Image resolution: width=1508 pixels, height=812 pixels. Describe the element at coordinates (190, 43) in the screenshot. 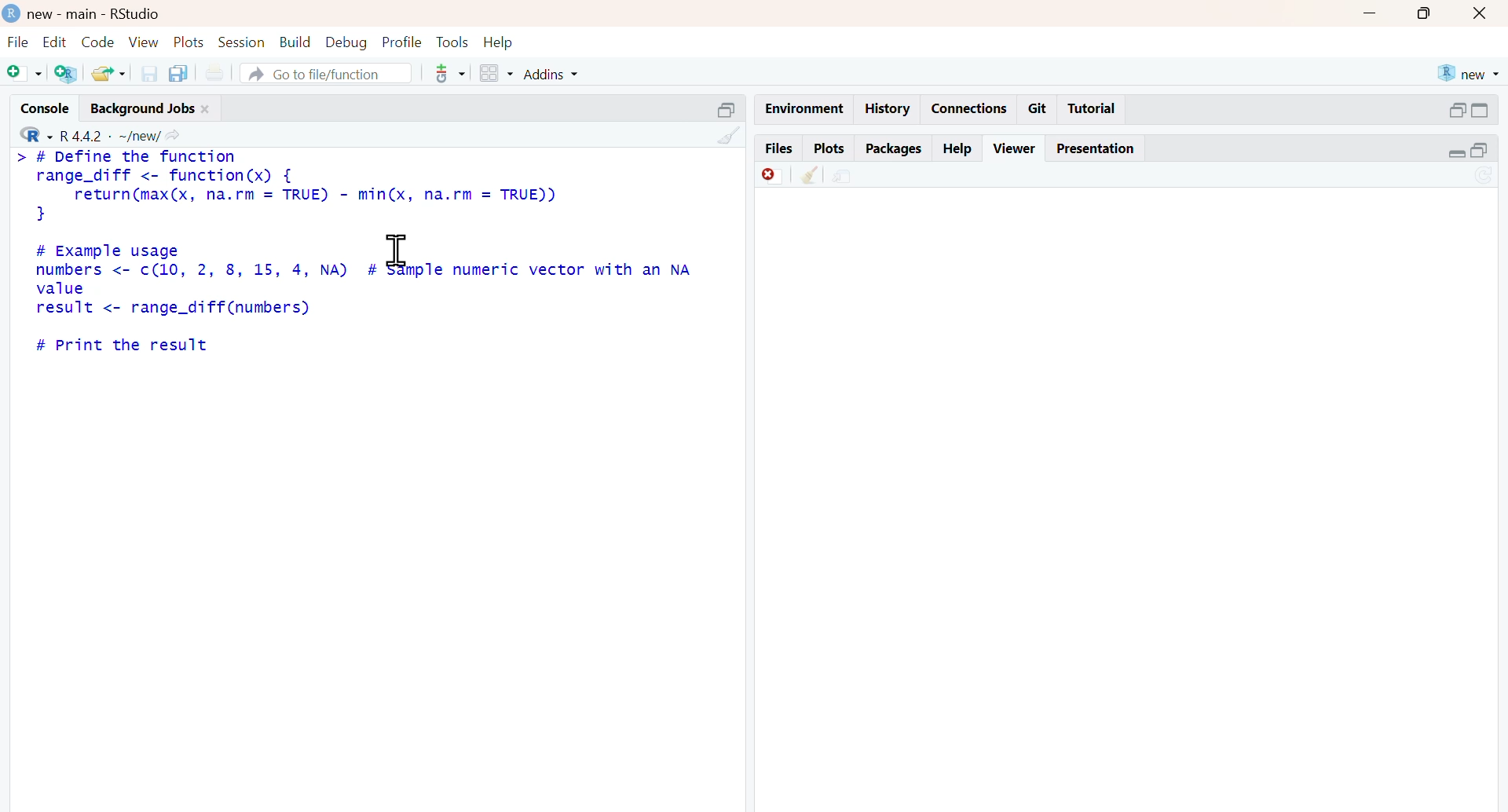

I see `plots` at that location.